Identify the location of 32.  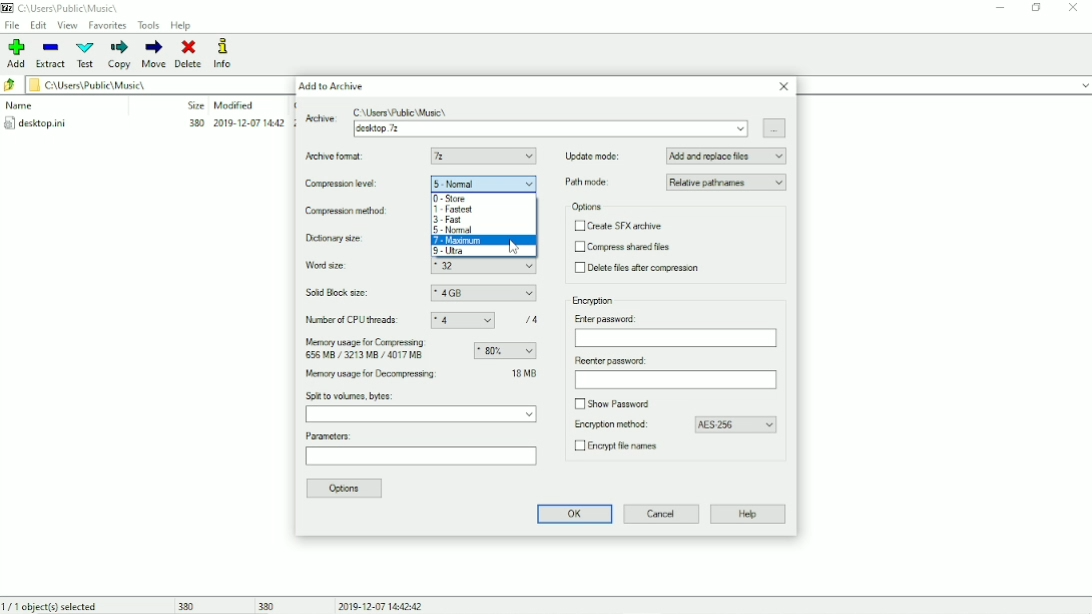
(485, 267).